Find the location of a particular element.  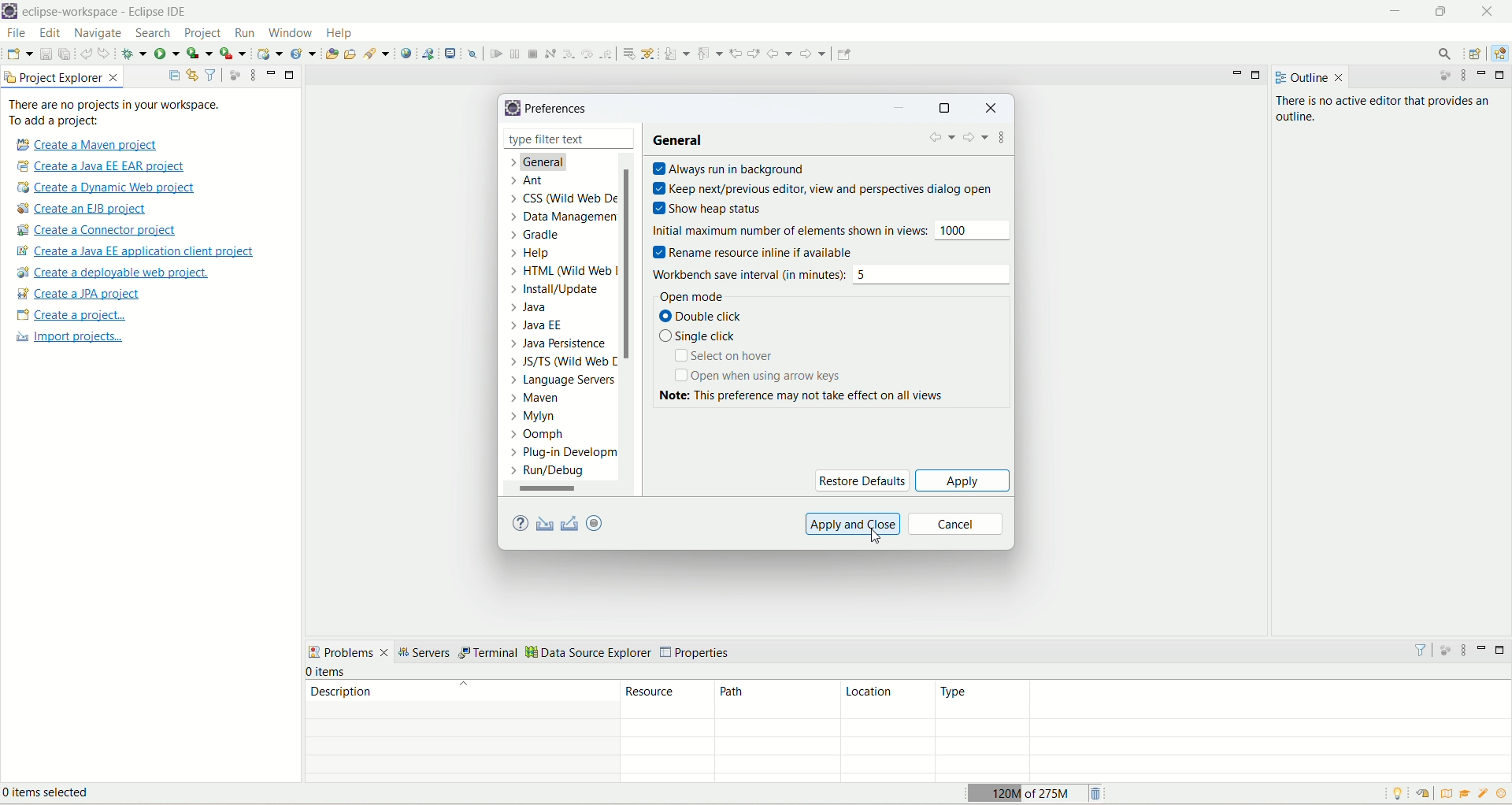

oomph is located at coordinates (538, 435).